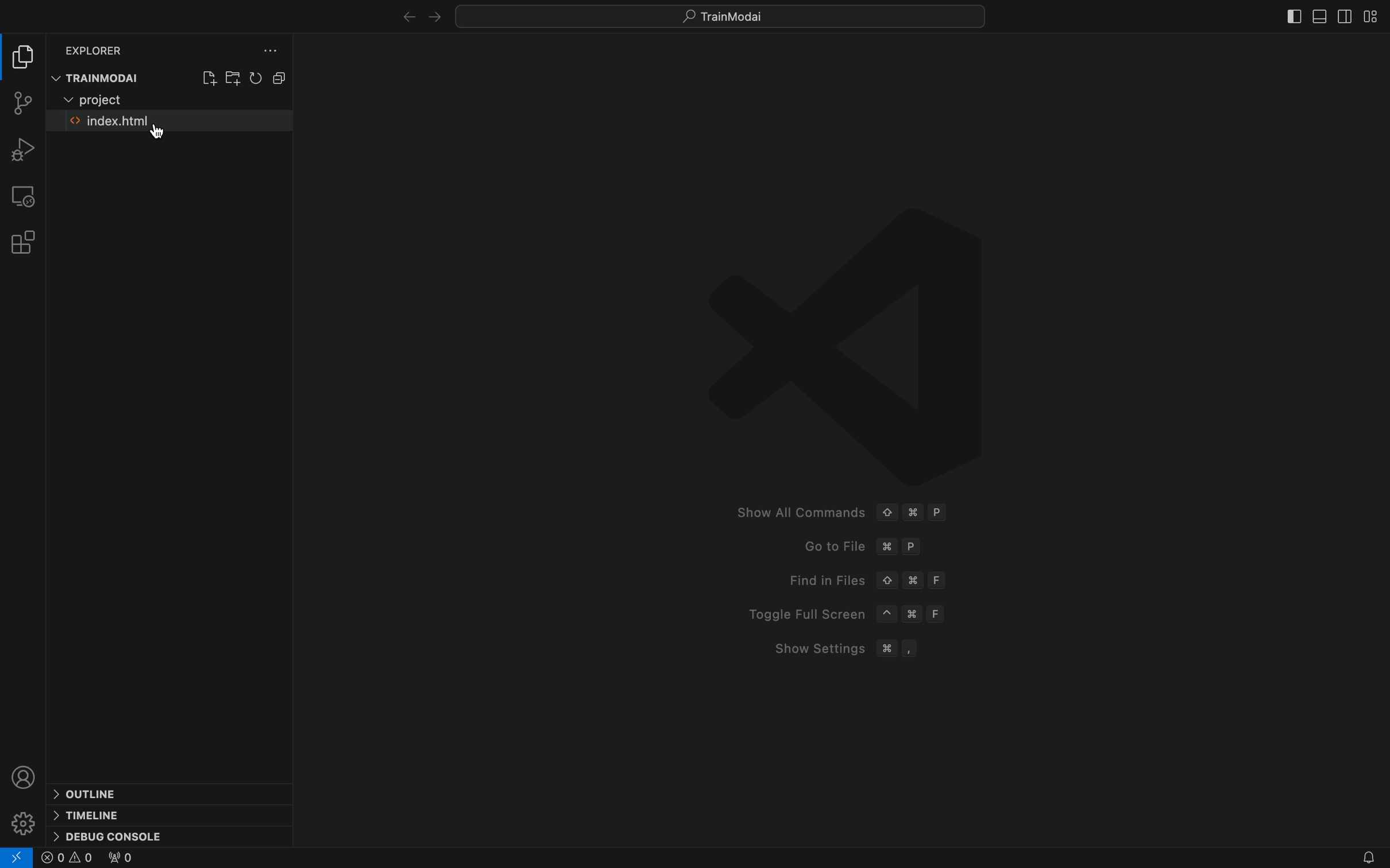 This screenshot has height=868, width=1390. I want to click on outline, so click(95, 793).